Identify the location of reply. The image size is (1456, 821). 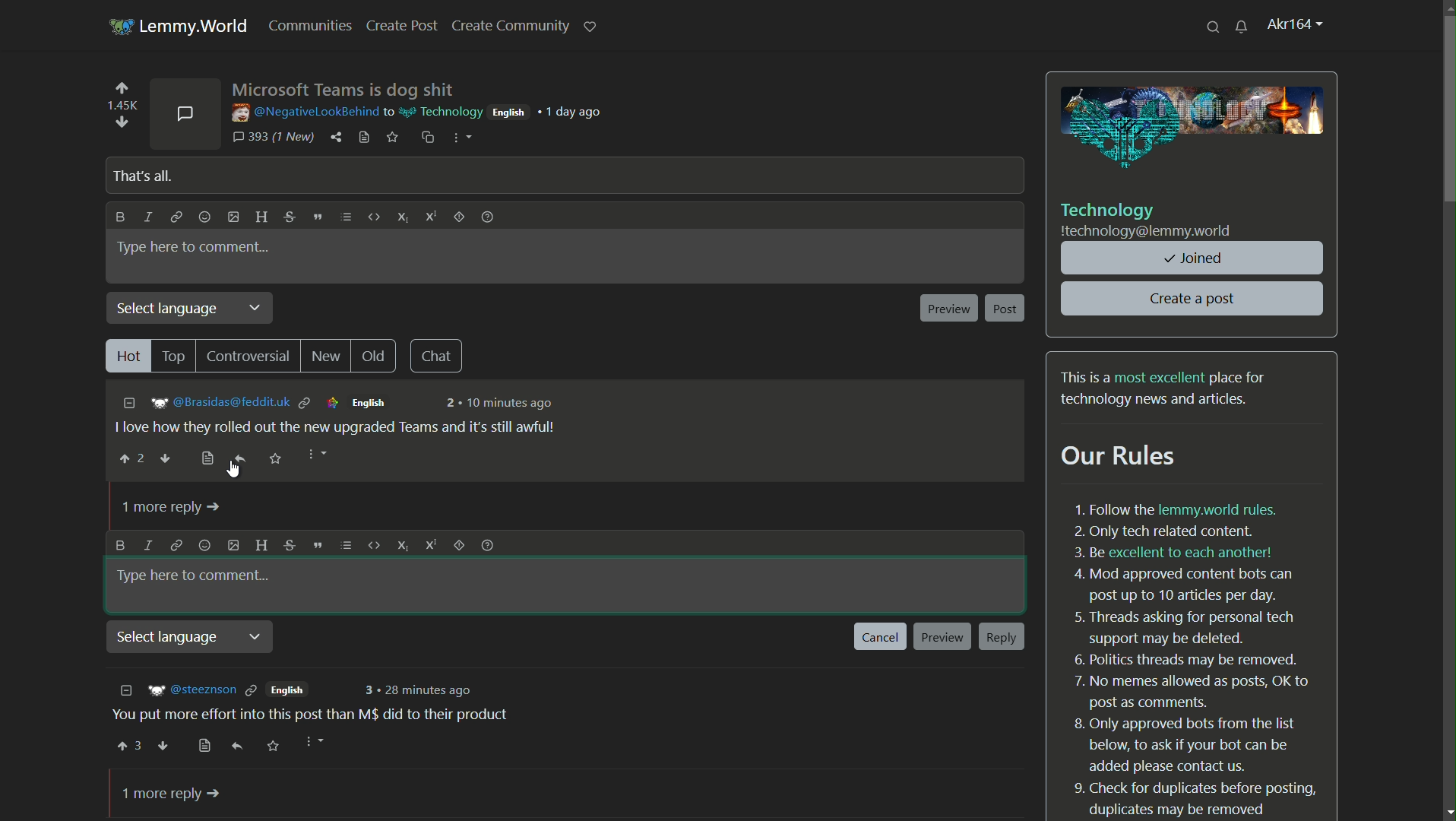
(240, 458).